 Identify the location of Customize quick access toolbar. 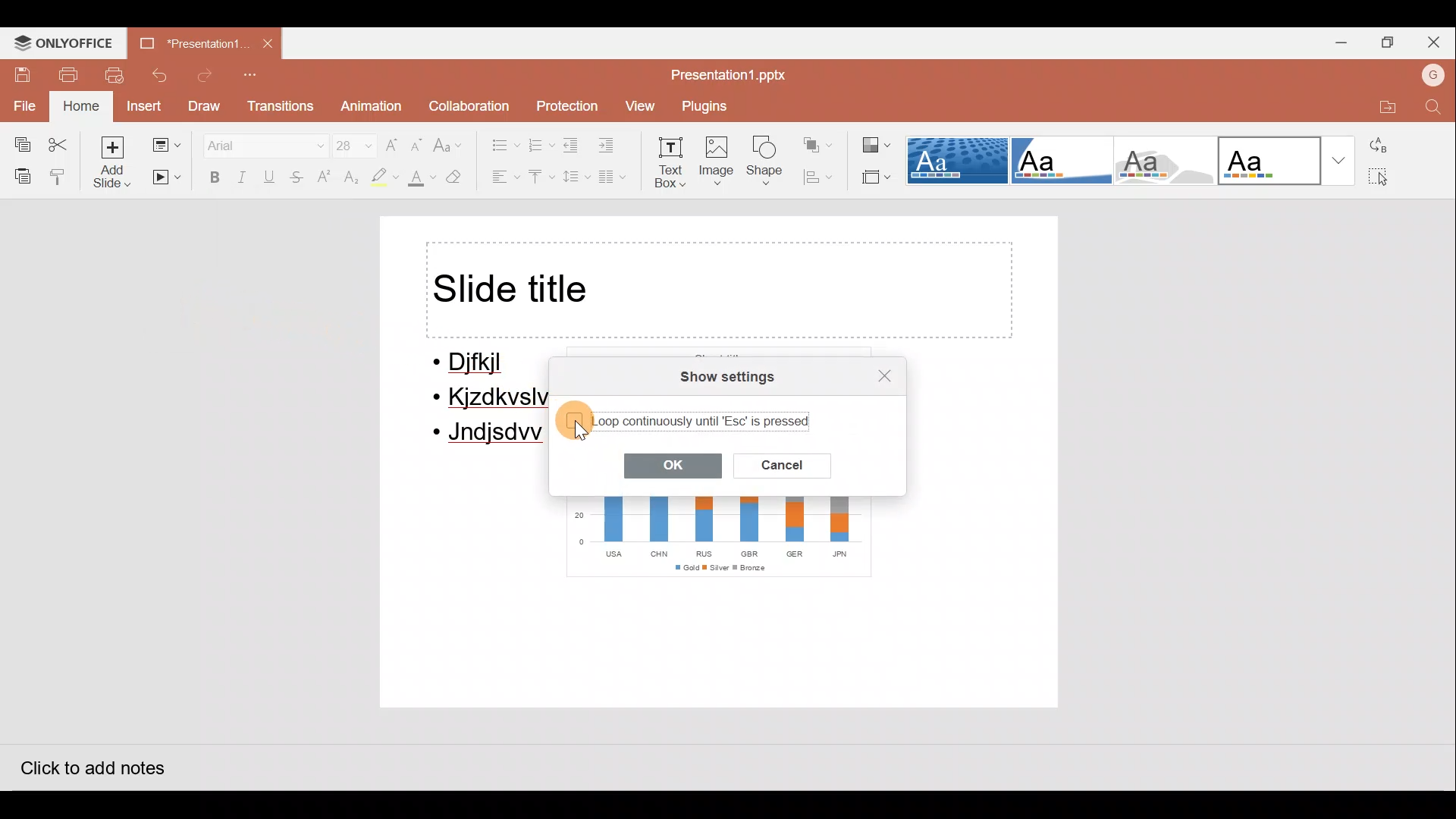
(258, 74).